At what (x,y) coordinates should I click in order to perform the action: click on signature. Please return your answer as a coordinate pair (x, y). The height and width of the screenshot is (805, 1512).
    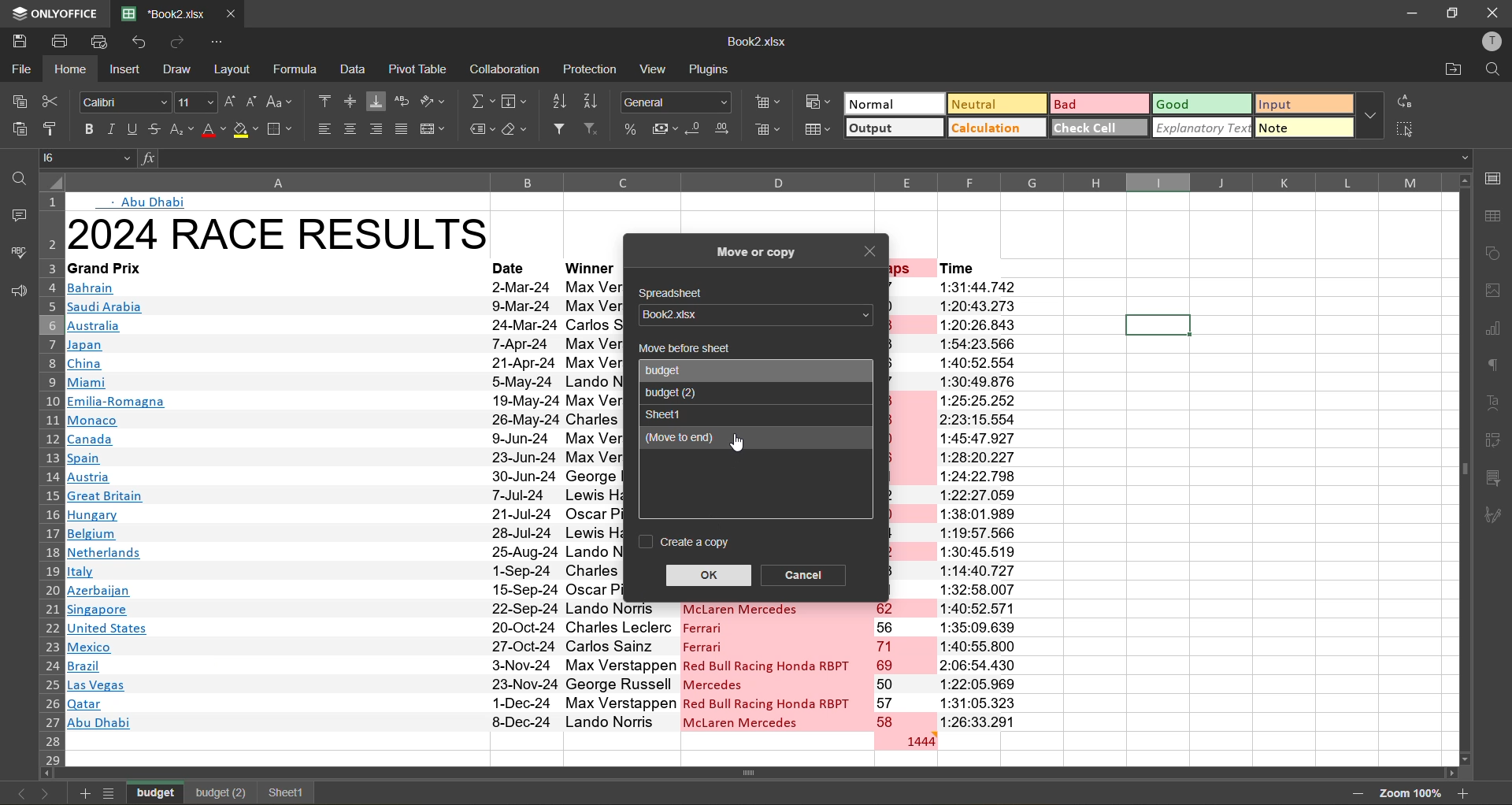
    Looking at the image, I should click on (1498, 515).